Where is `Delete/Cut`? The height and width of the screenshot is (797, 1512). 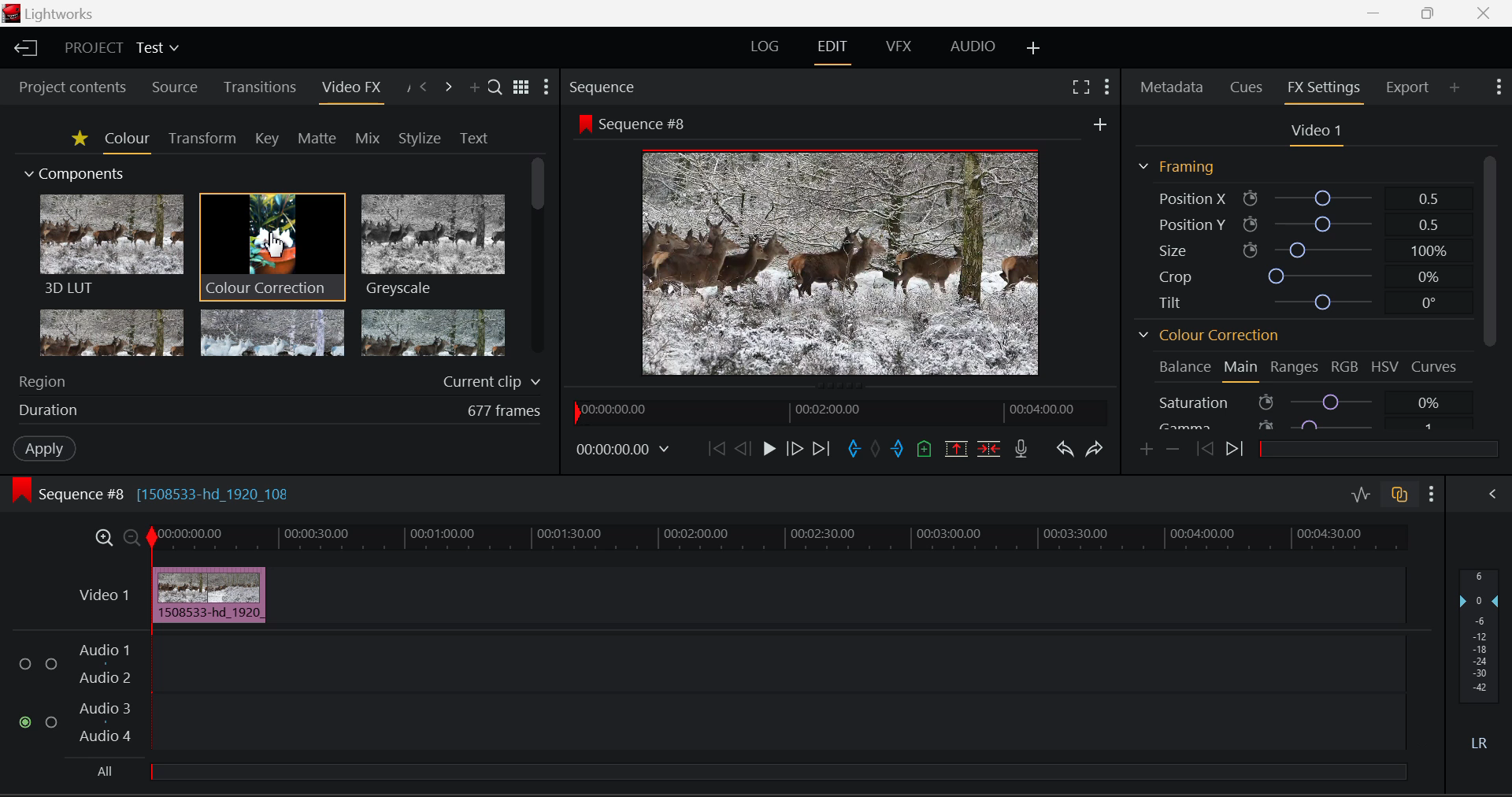 Delete/Cut is located at coordinates (991, 449).